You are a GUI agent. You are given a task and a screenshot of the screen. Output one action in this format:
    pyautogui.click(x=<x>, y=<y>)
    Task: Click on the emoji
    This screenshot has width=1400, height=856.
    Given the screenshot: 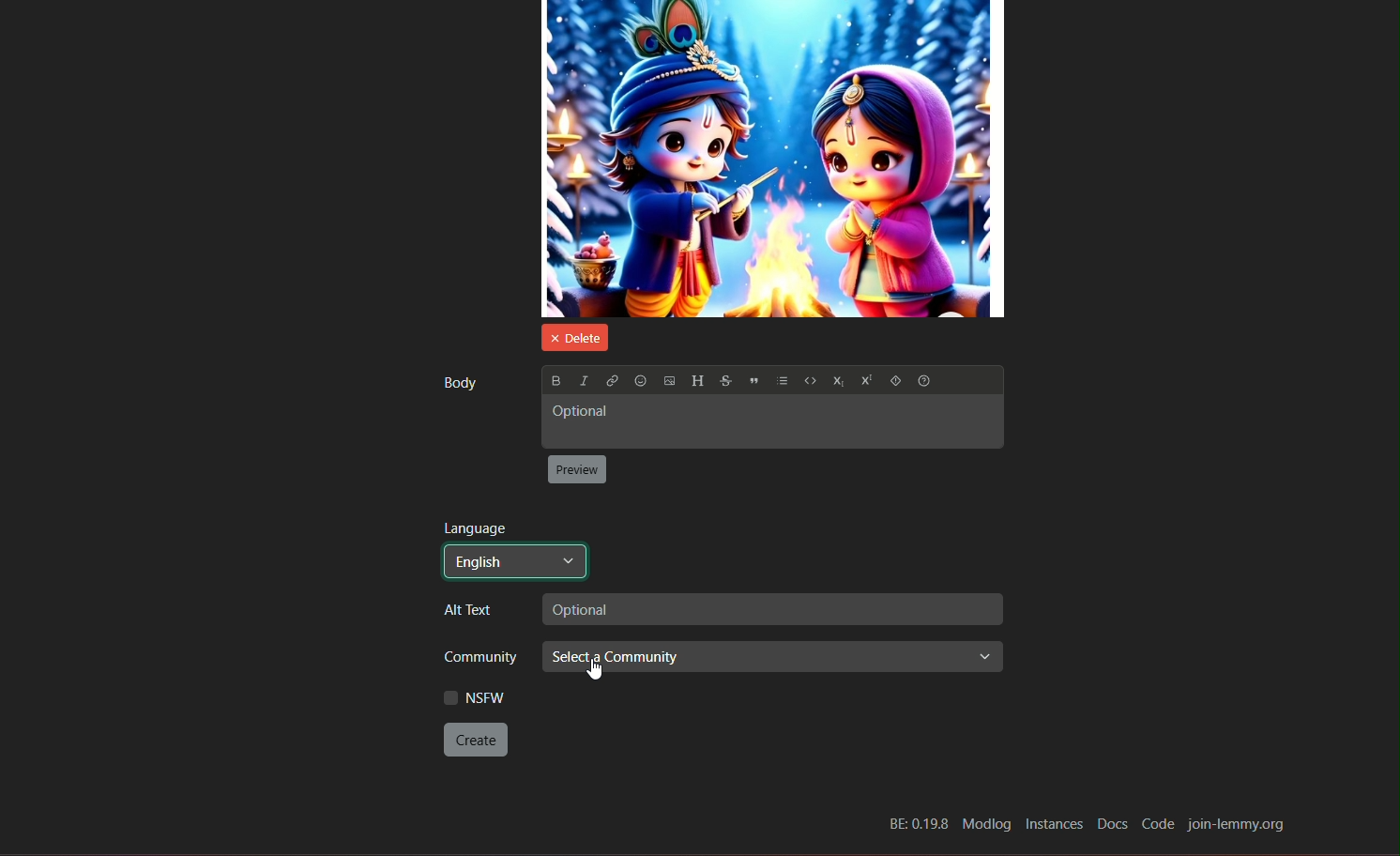 What is the action you would take?
    pyautogui.click(x=640, y=381)
    